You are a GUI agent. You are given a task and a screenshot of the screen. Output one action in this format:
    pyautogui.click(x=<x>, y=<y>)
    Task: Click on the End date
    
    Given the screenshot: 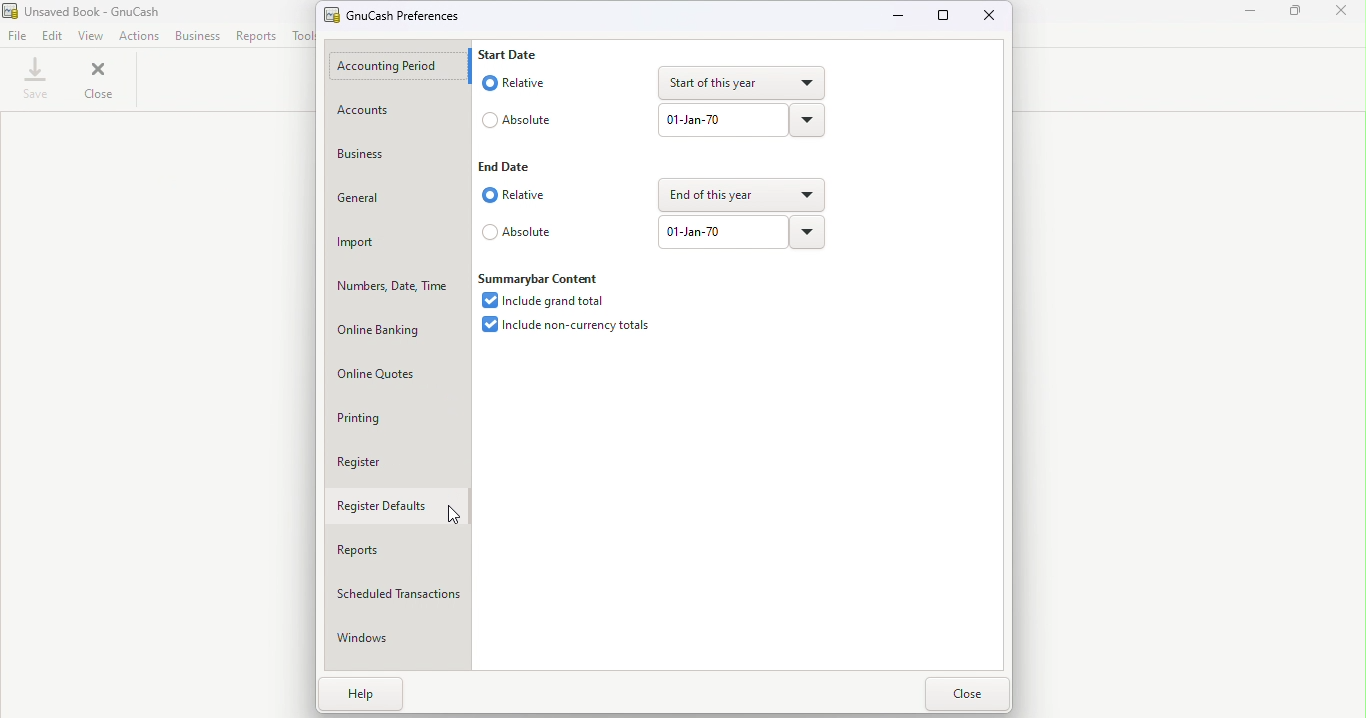 What is the action you would take?
    pyautogui.click(x=518, y=166)
    